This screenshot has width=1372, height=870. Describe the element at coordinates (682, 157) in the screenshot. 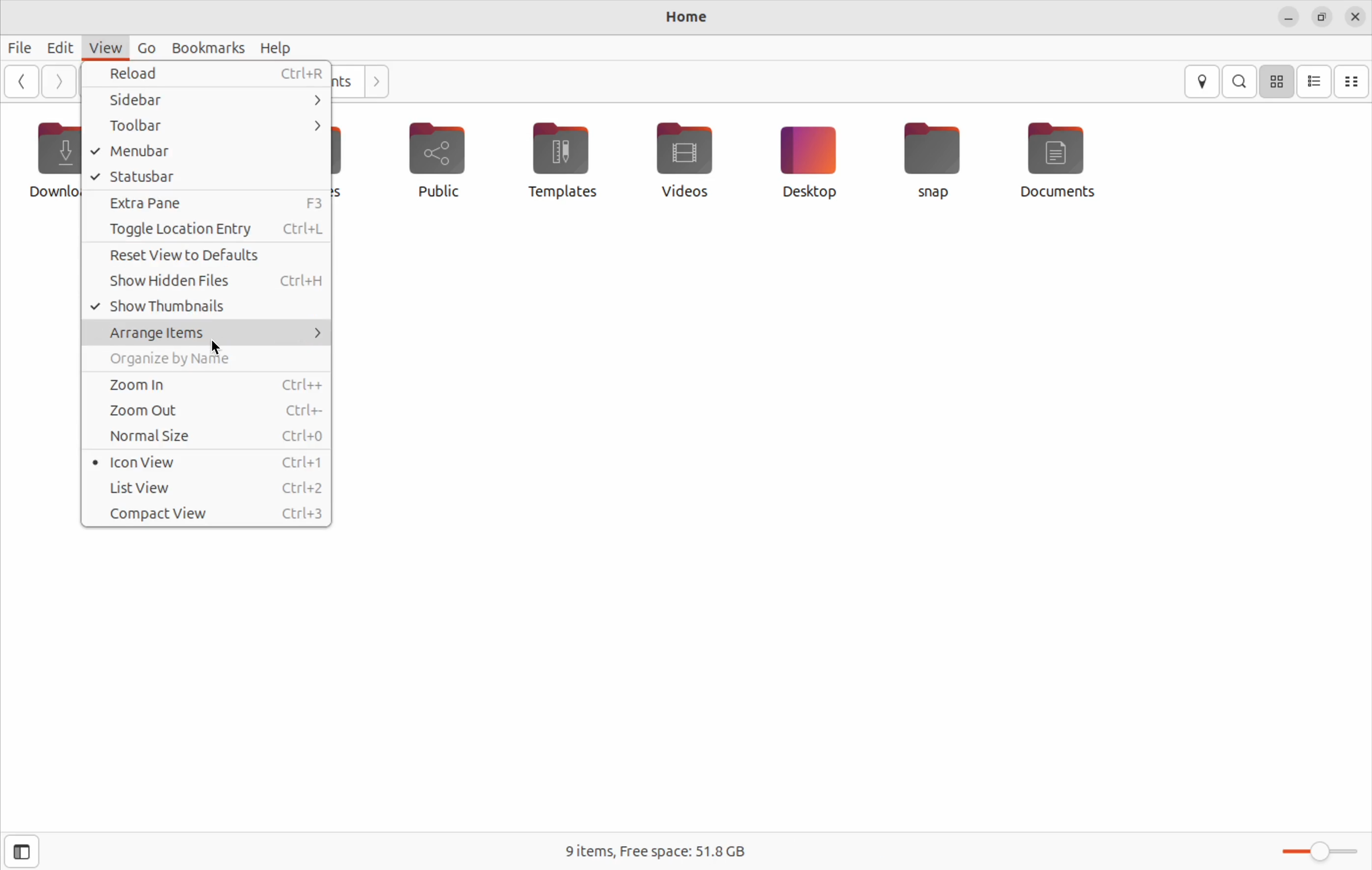

I see `Videos` at that location.